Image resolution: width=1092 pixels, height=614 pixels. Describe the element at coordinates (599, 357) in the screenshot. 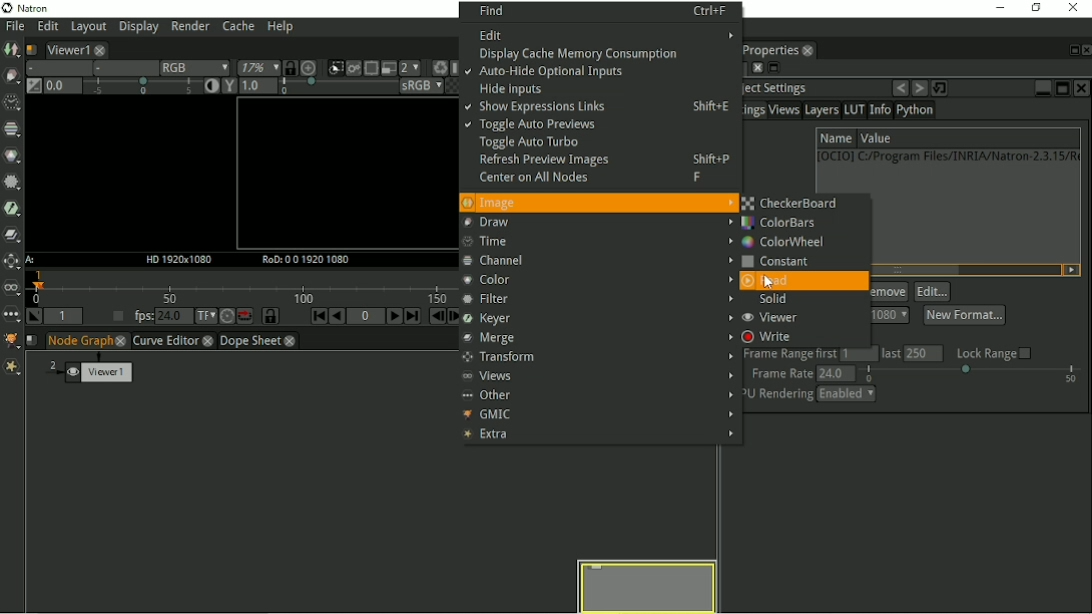

I see `Transform` at that location.